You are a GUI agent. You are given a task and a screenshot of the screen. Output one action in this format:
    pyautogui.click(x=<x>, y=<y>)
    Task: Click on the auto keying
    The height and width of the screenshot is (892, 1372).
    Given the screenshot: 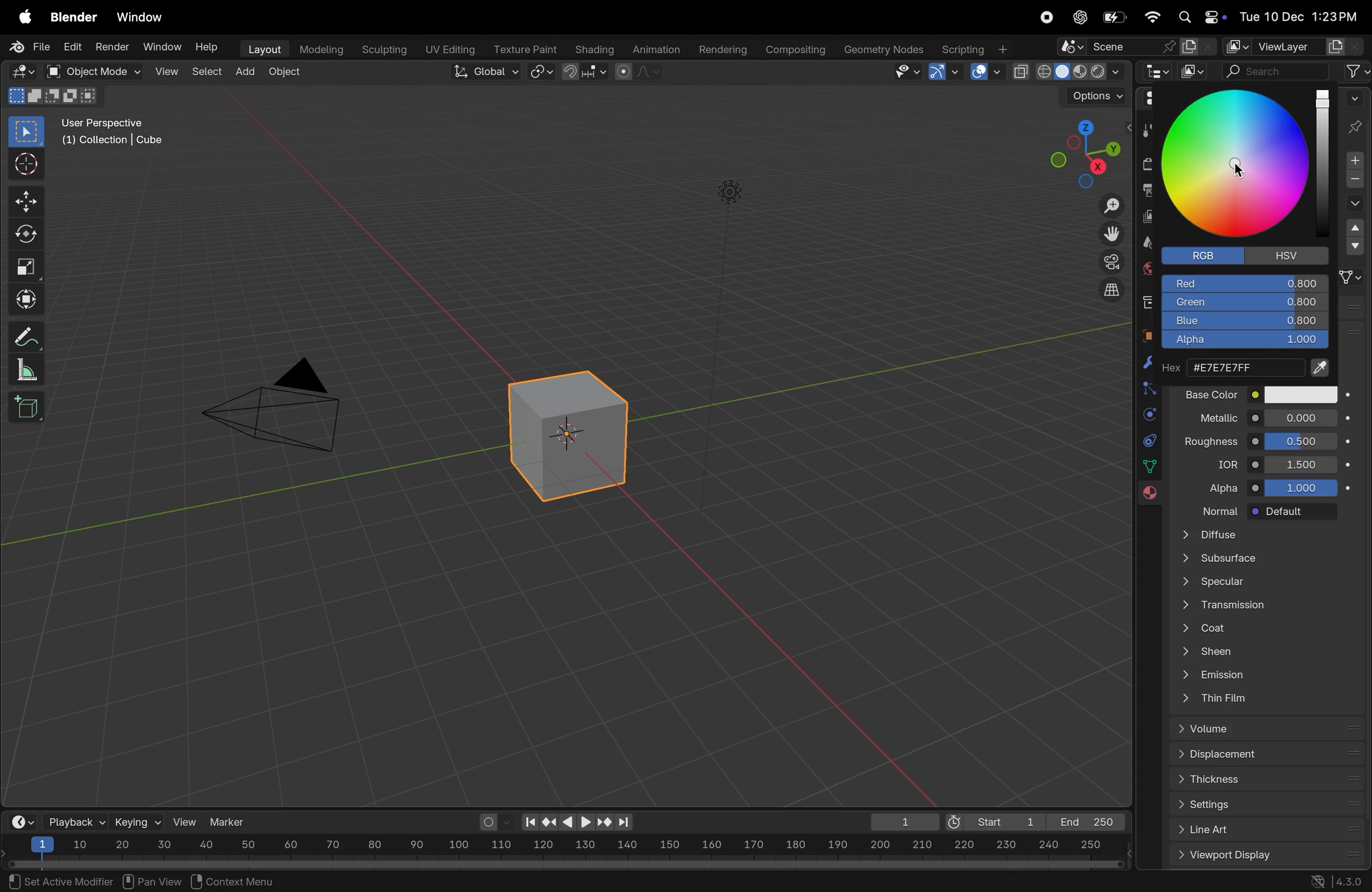 What is the action you would take?
    pyautogui.click(x=493, y=822)
    